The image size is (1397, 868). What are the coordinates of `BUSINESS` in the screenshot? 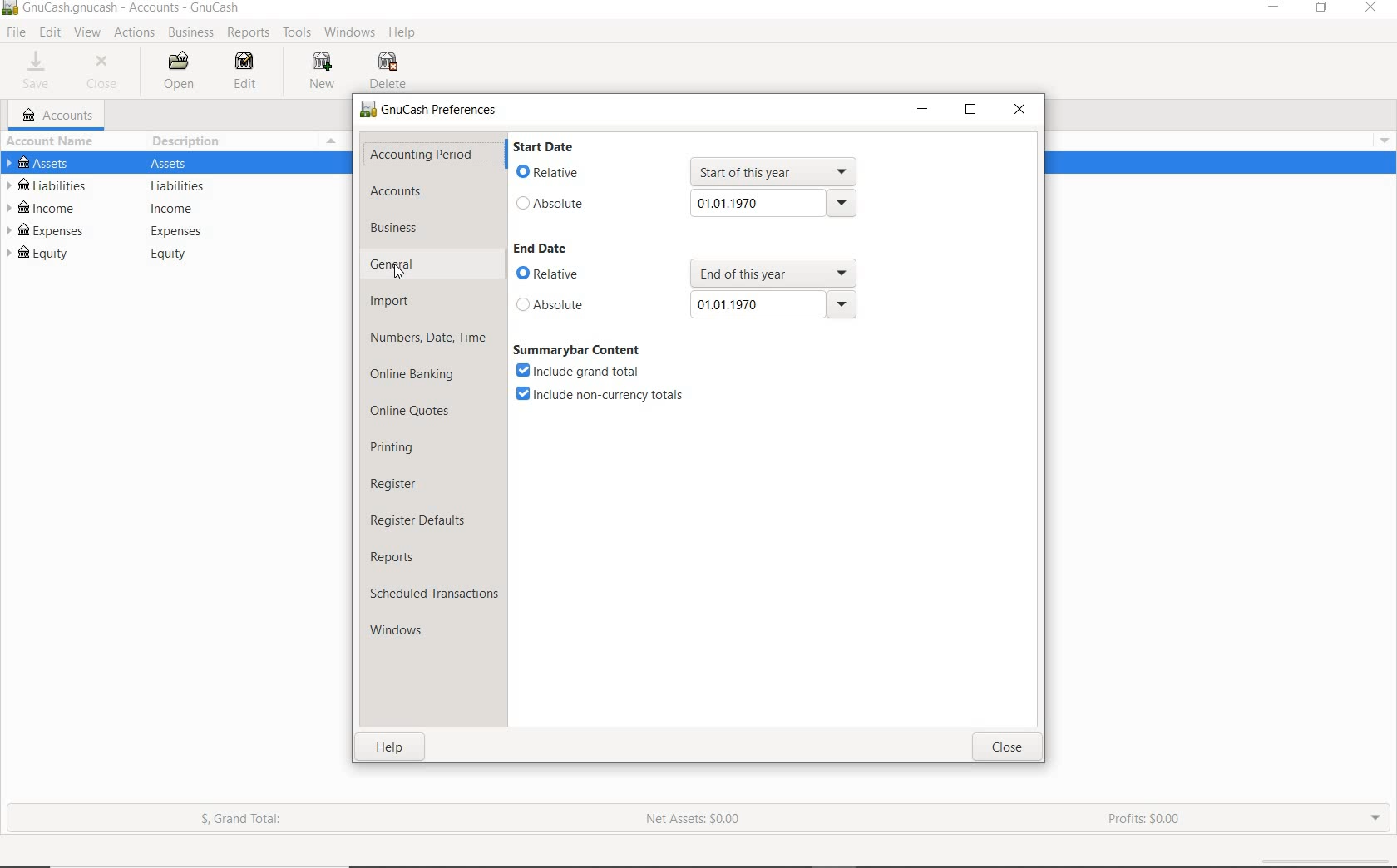 It's located at (189, 32).